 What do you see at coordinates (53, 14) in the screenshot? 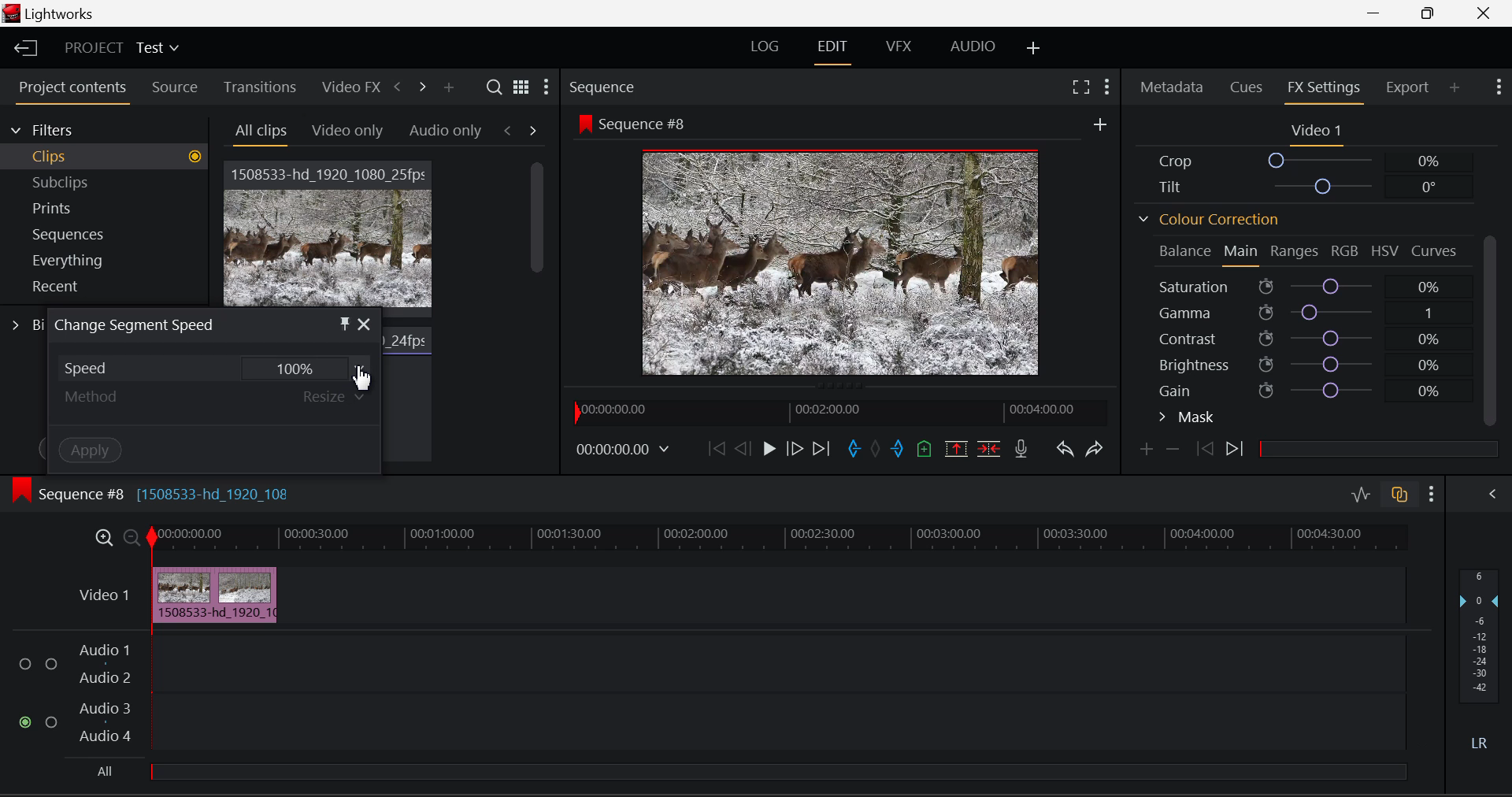
I see `Window Title` at bounding box center [53, 14].